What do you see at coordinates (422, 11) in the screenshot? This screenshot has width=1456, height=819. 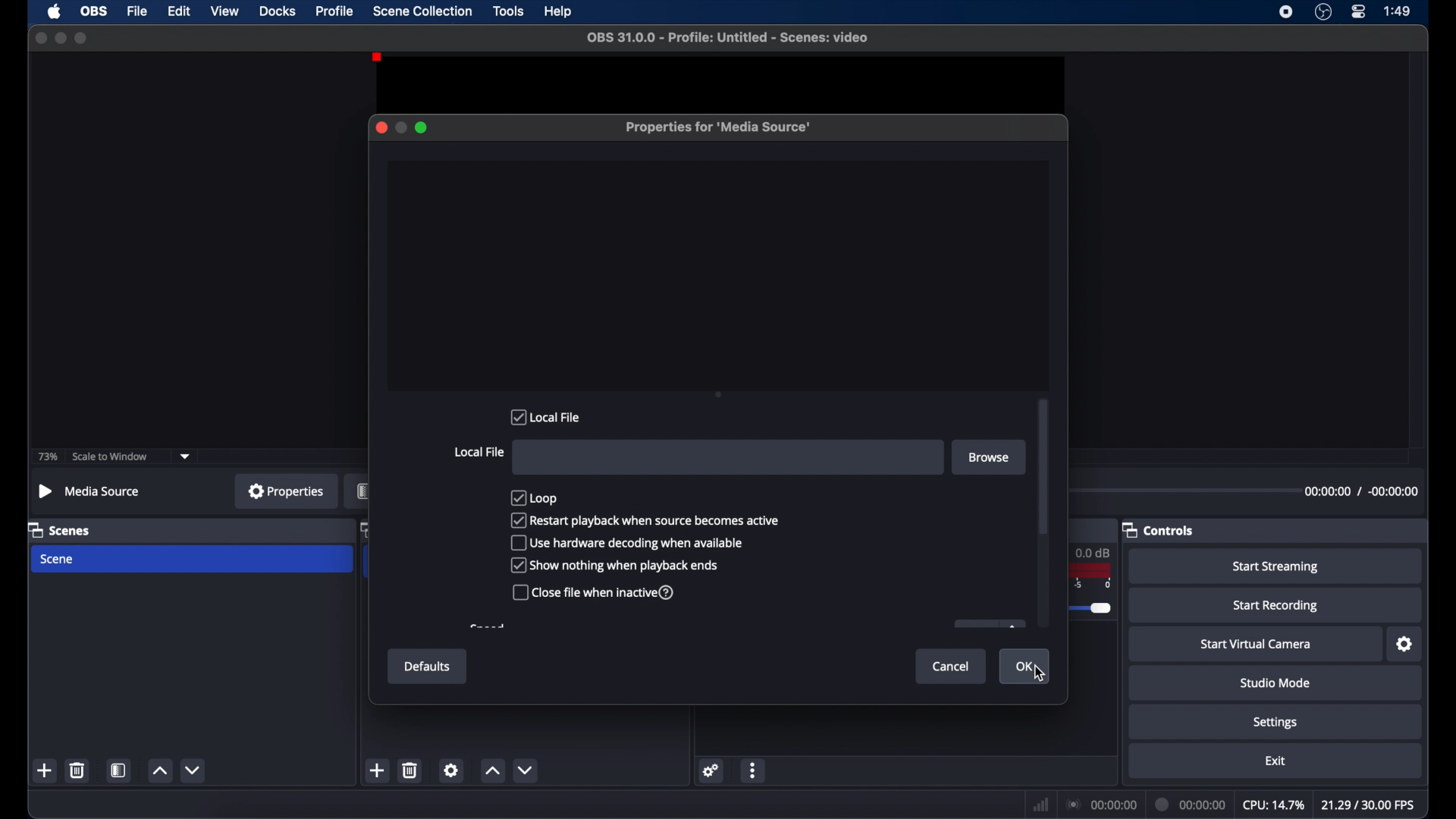 I see `scene collection` at bounding box center [422, 11].